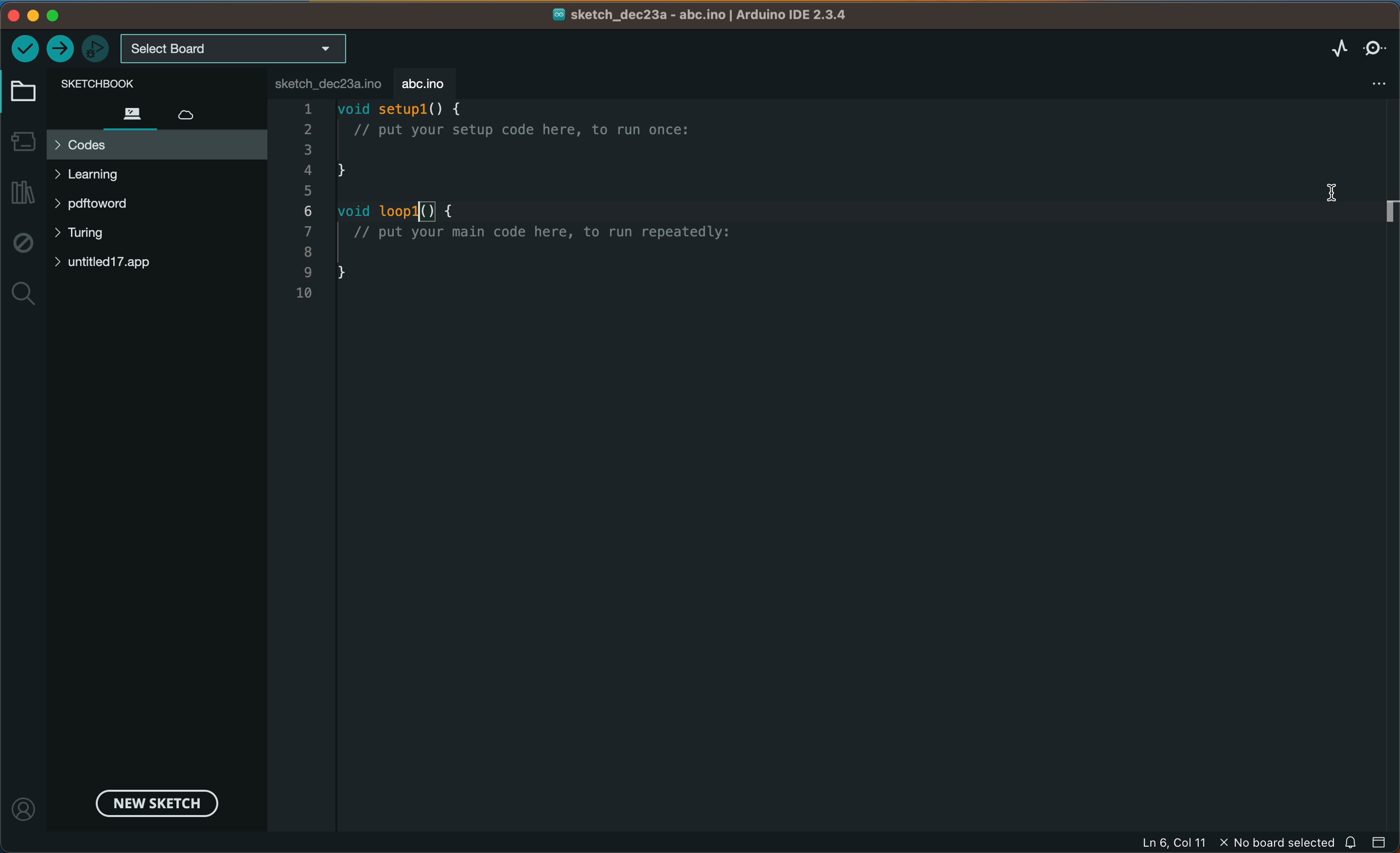 The image size is (1400, 853). I want to click on pdftword, so click(102, 205).